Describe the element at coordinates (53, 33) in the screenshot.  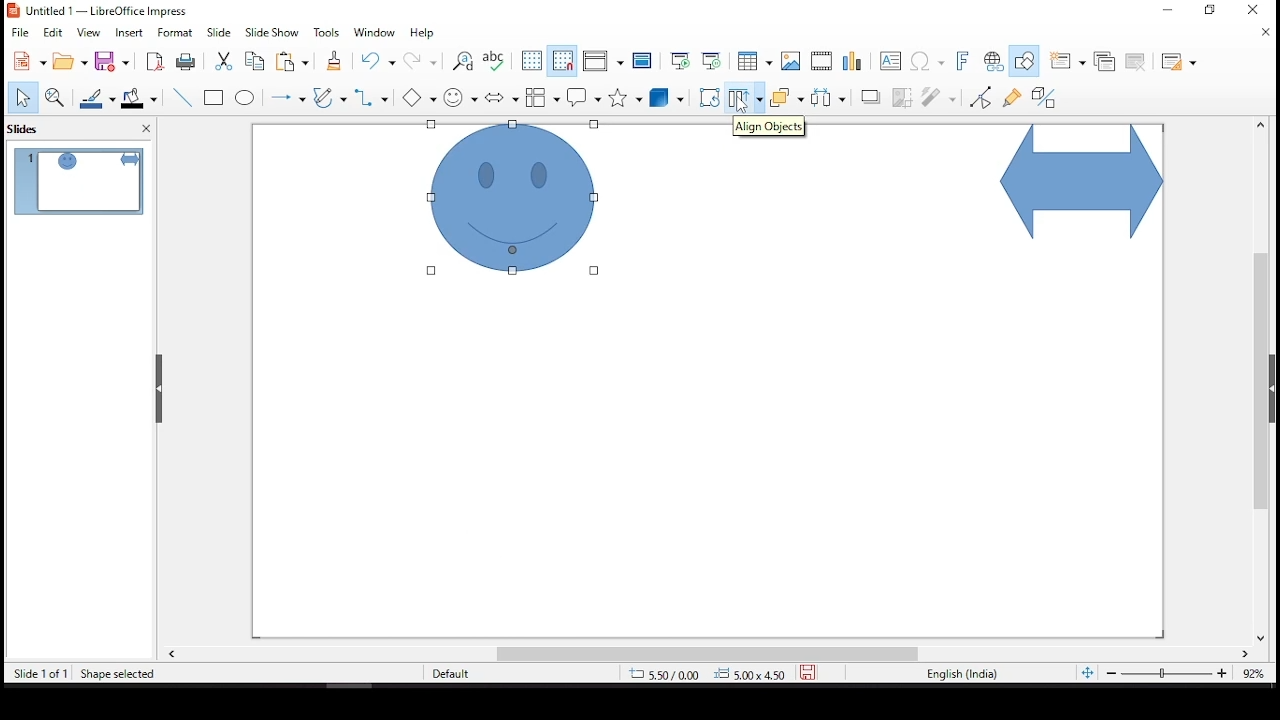
I see `edit` at that location.